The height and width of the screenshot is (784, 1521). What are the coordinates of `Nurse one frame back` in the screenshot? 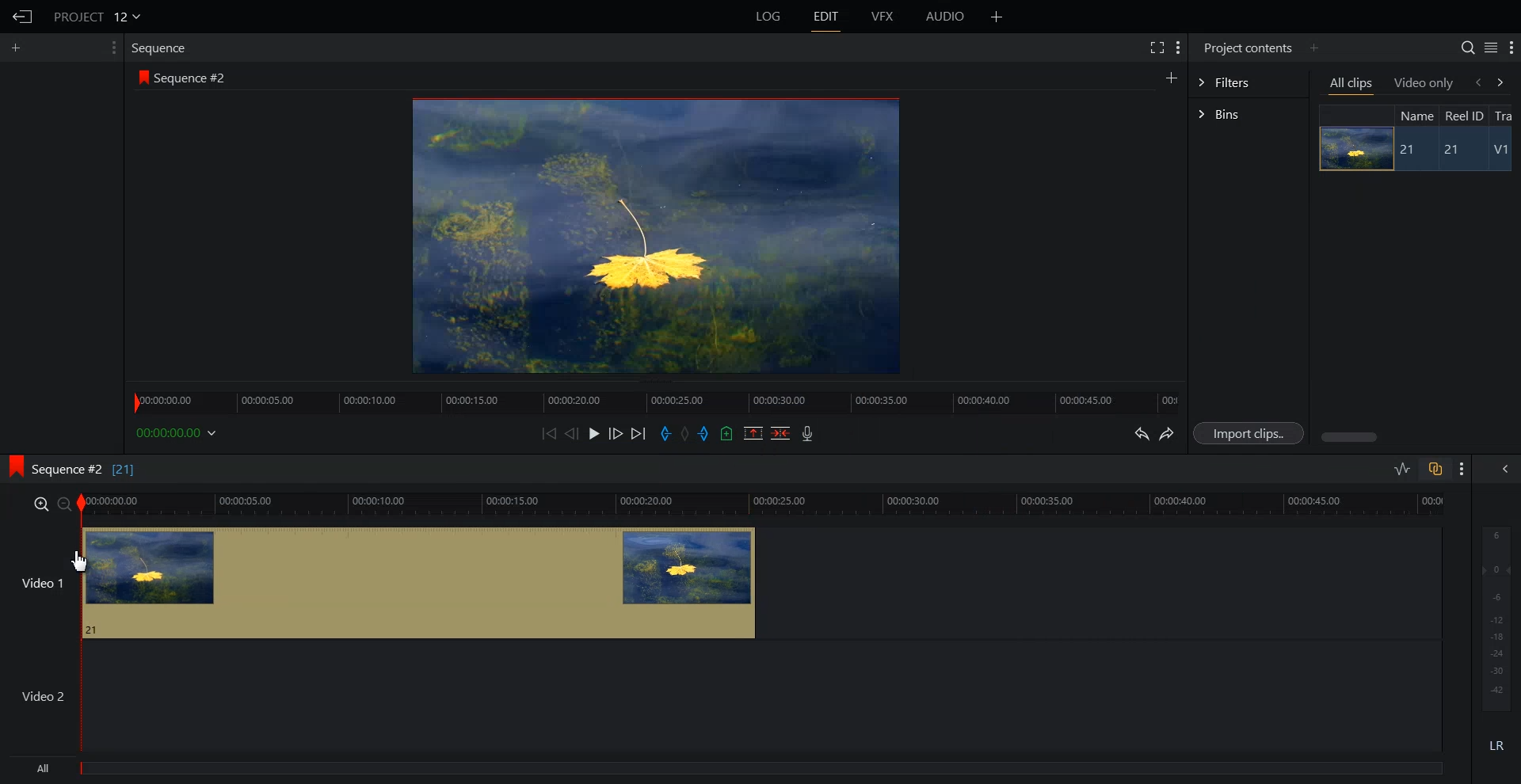 It's located at (572, 433).